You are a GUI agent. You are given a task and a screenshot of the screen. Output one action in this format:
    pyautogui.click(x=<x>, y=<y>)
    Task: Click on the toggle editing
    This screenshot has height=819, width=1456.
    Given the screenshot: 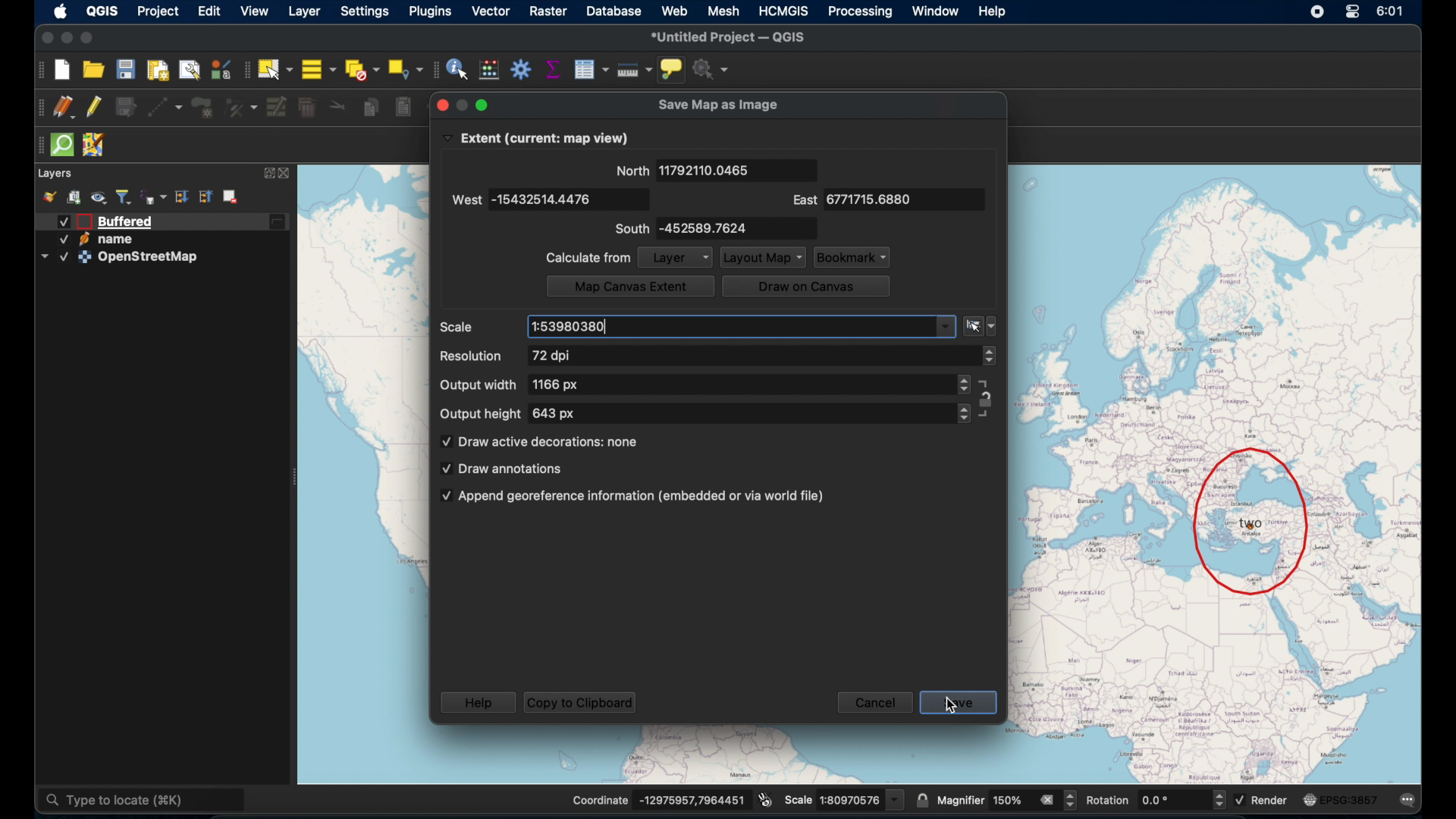 What is the action you would take?
    pyautogui.click(x=93, y=106)
    